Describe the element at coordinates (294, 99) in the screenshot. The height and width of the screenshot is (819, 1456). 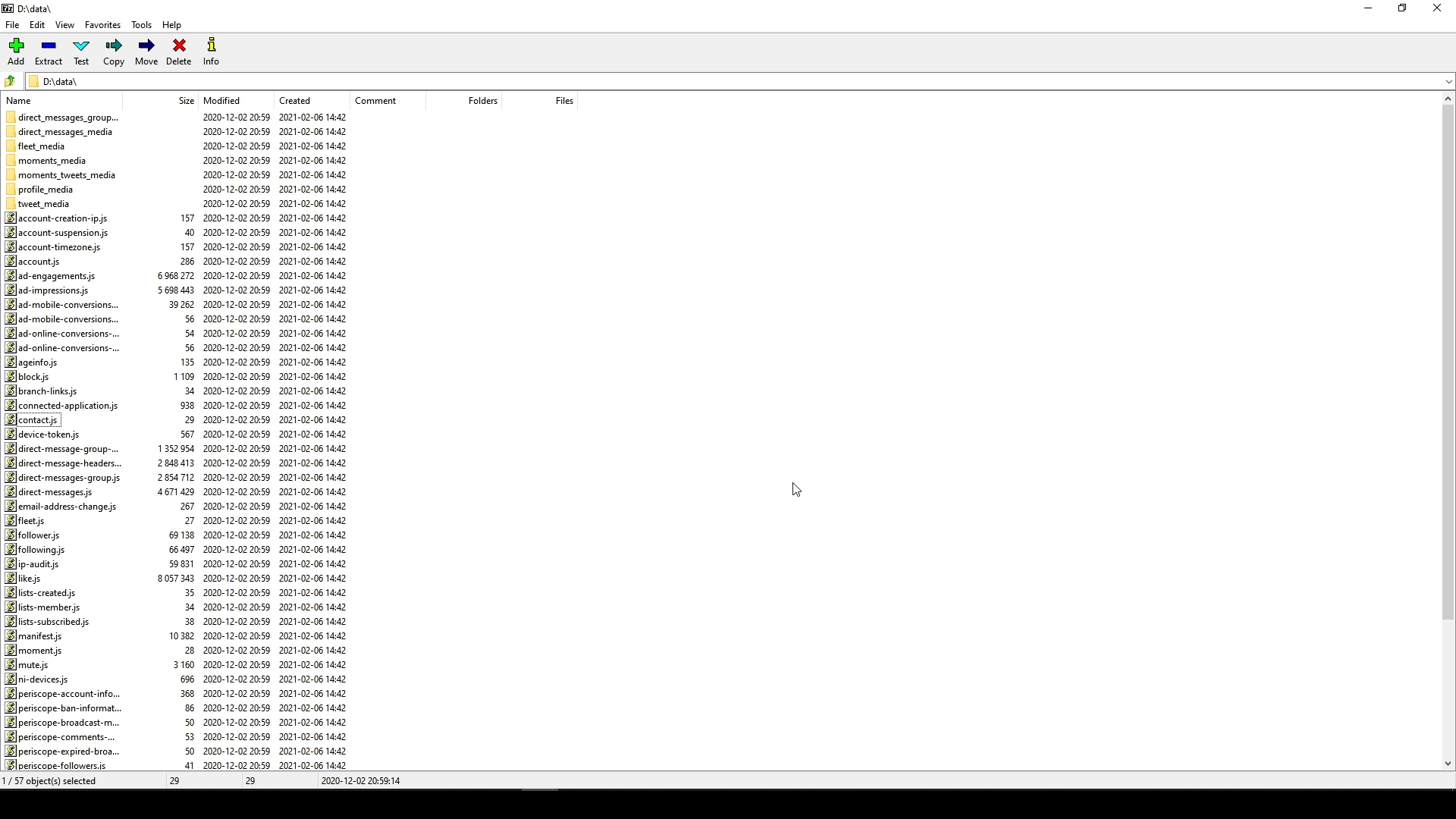
I see `created` at that location.